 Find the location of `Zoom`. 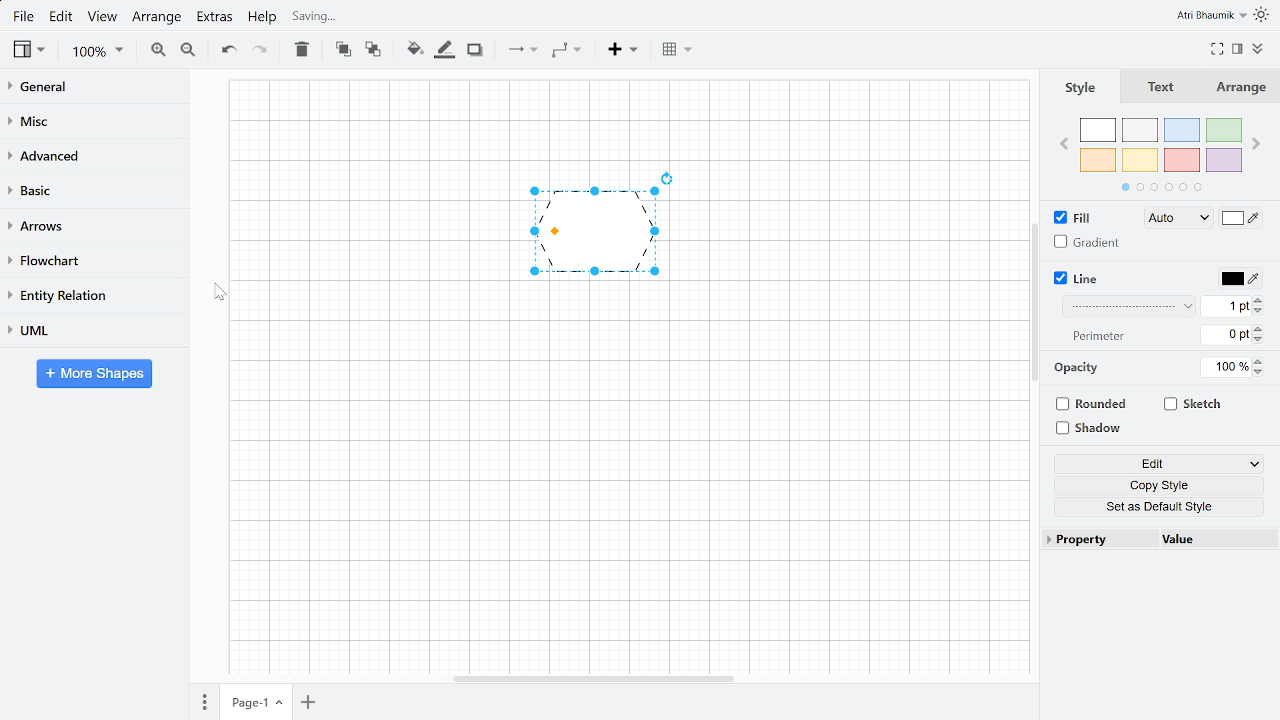

Zoom is located at coordinates (96, 53).